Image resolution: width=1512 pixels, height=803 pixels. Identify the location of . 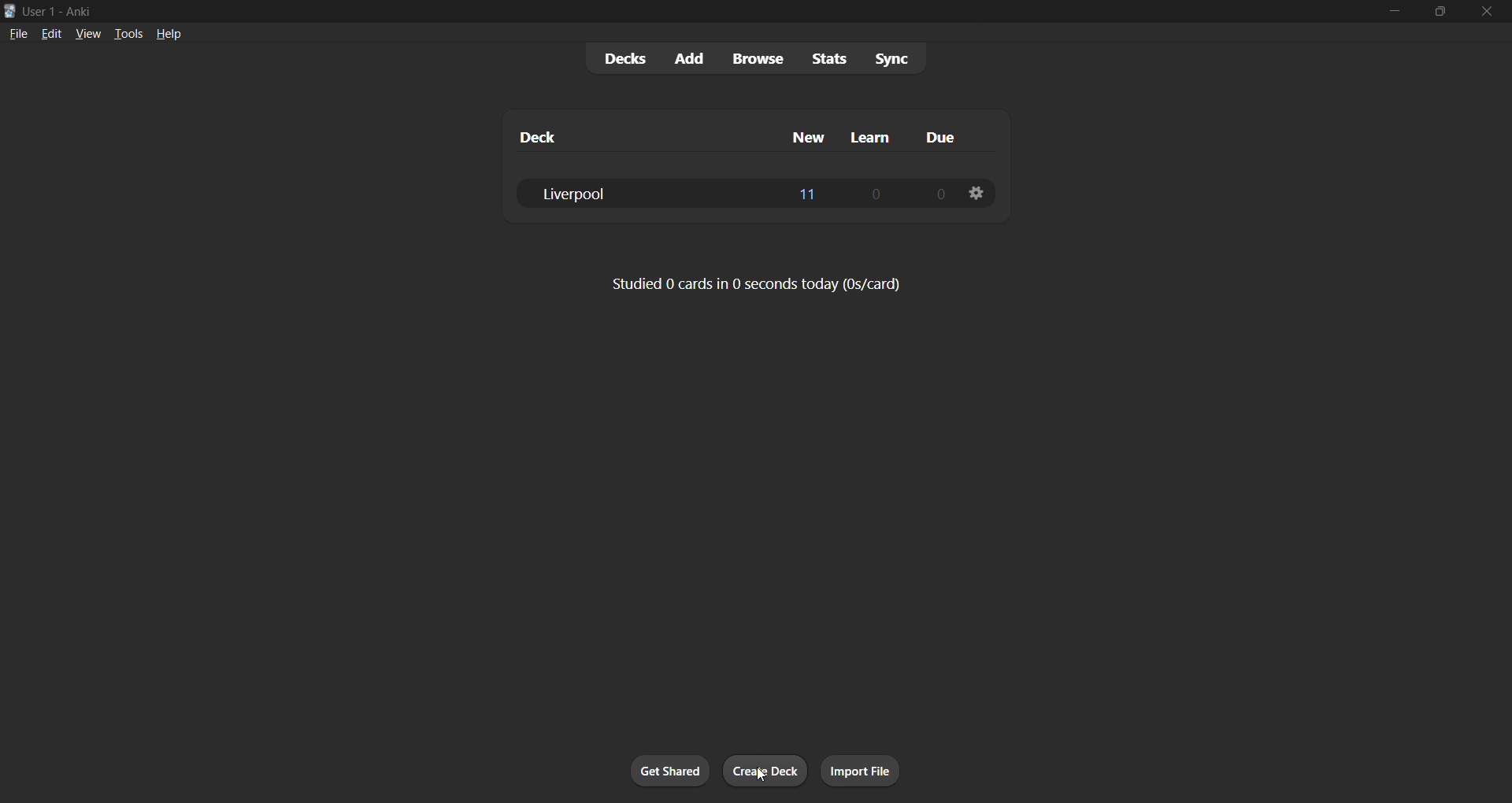
(891, 56).